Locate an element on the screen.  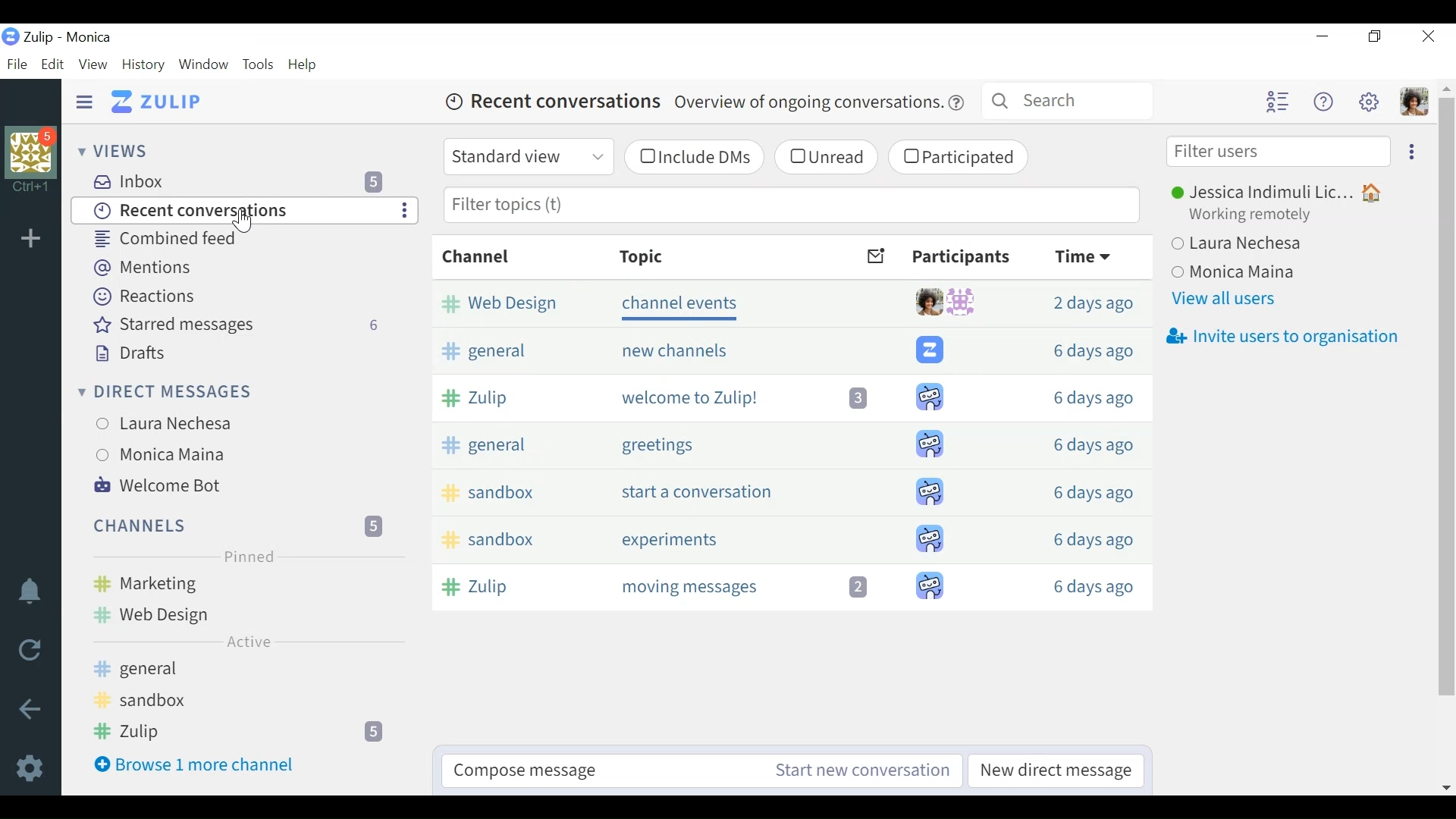
Topic is located at coordinates (643, 258).